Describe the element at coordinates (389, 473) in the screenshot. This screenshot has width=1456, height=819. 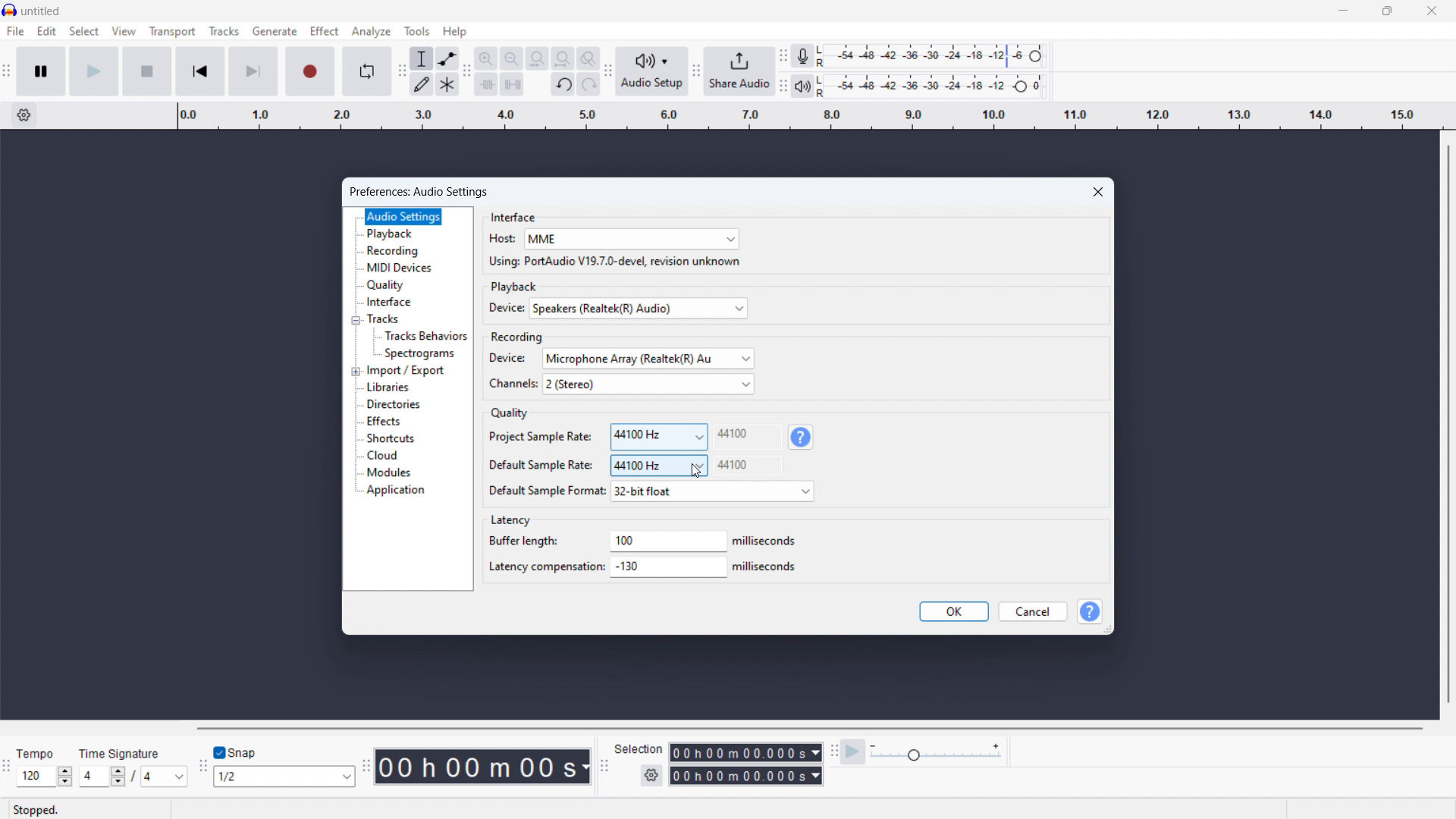
I see `modules` at that location.